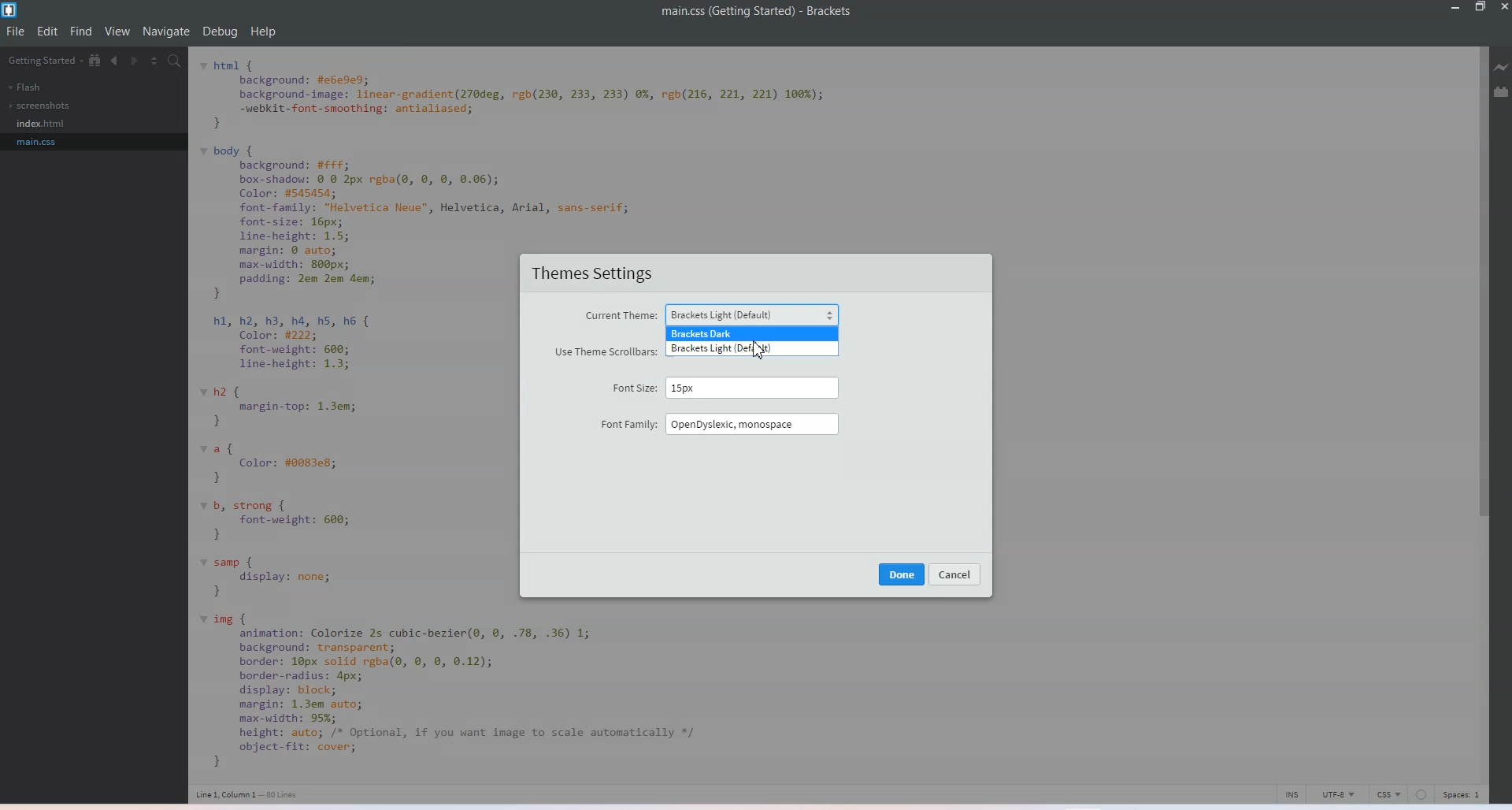 This screenshot has height=810, width=1512. I want to click on Find In files, so click(176, 61).